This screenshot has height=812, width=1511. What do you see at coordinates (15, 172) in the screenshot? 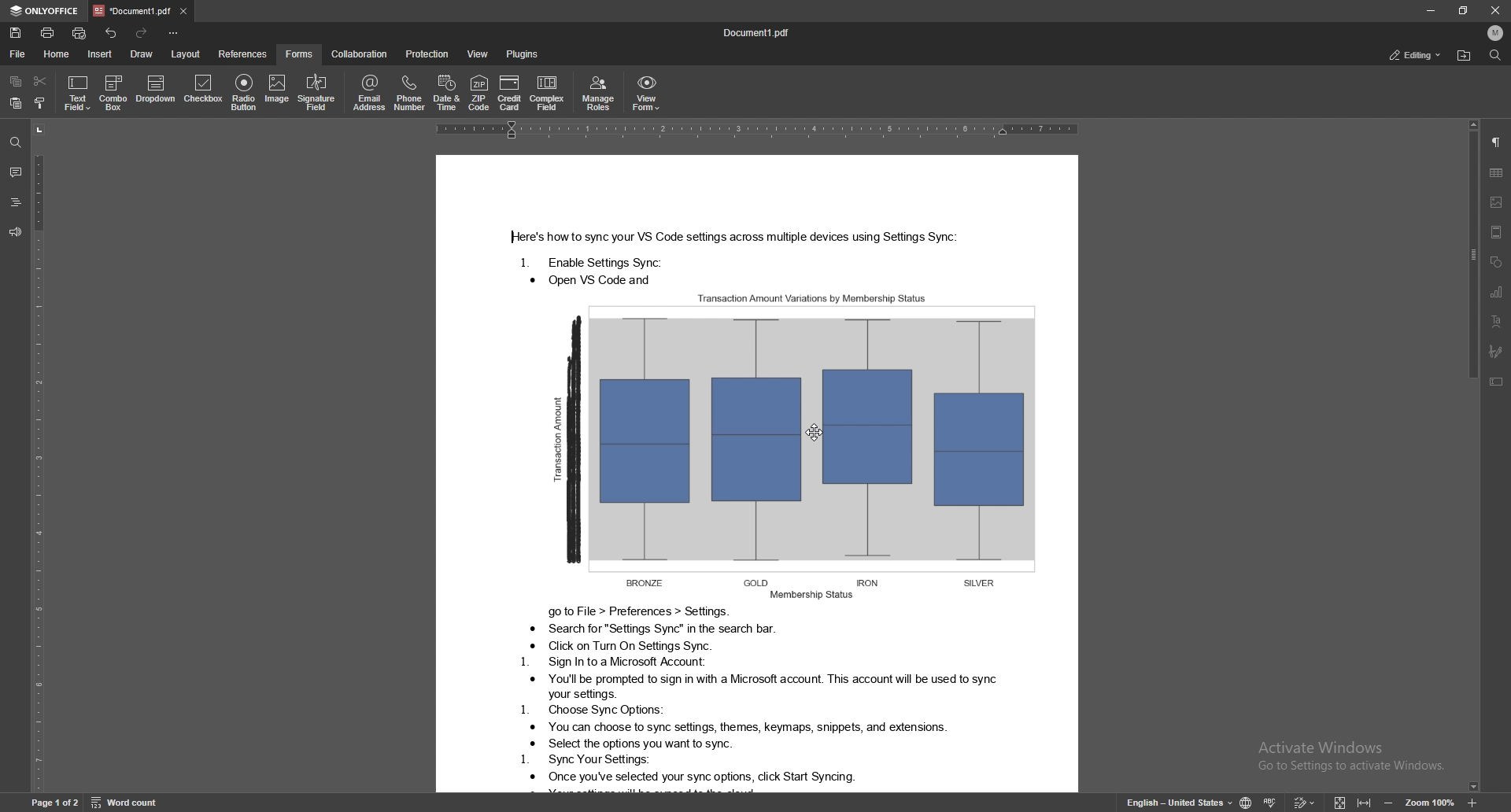
I see `comment` at bounding box center [15, 172].